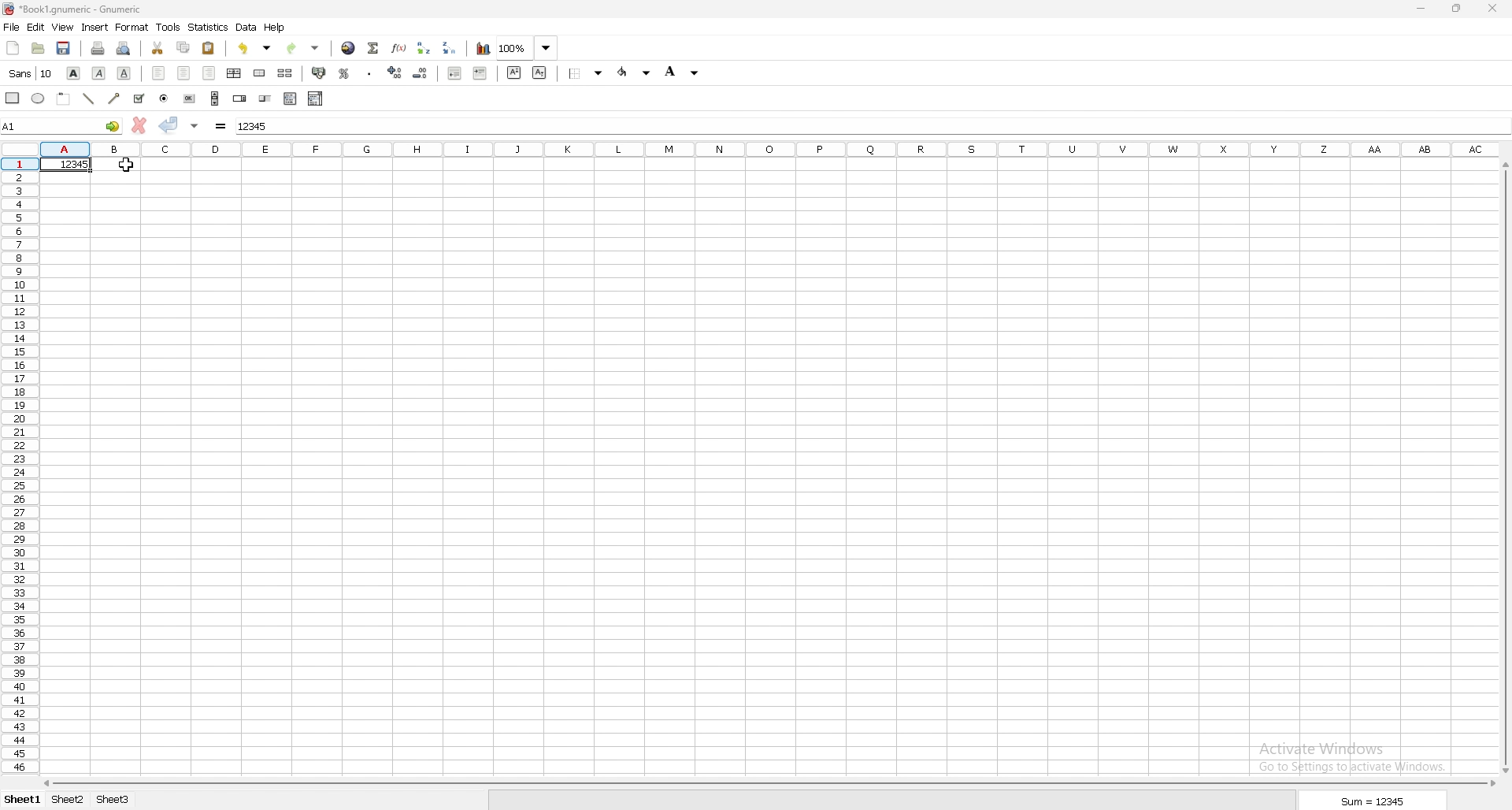  Describe the element at coordinates (254, 47) in the screenshot. I see `undo` at that location.